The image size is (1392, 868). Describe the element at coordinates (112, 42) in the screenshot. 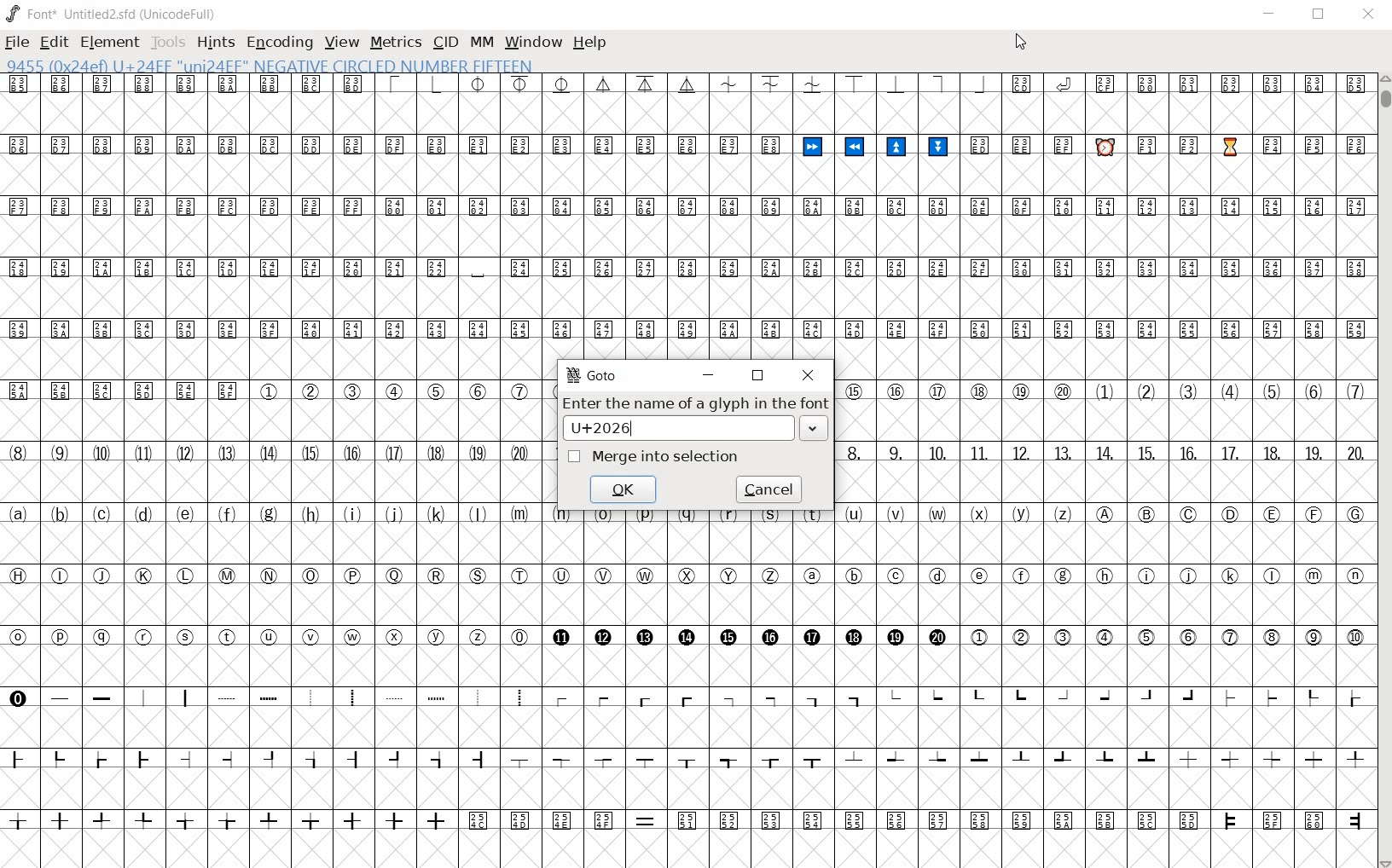

I see `ELEMENT` at that location.